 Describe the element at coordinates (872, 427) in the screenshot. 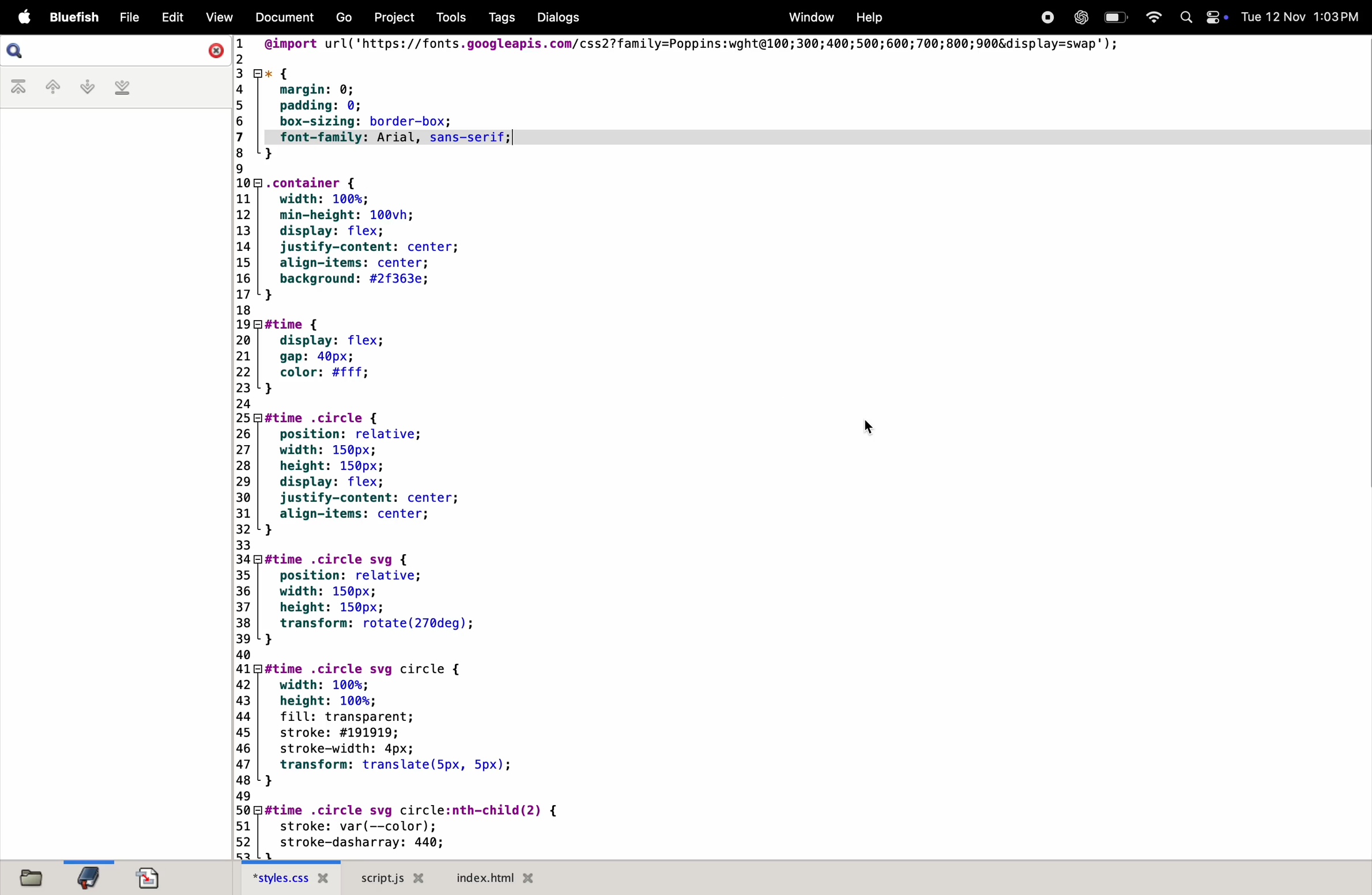

I see `cursor` at that location.